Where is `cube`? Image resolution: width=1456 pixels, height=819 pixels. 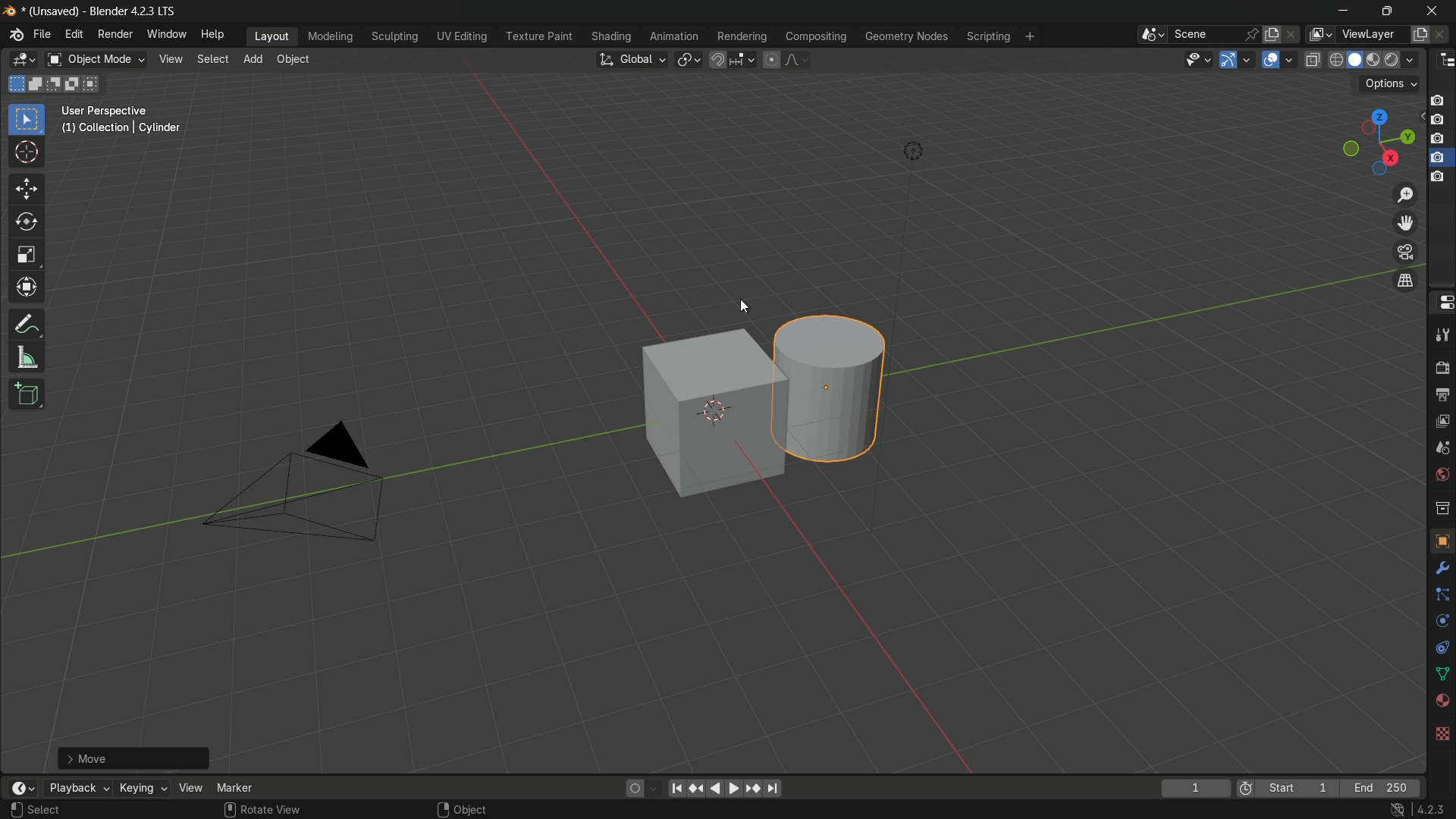
cube is located at coordinates (699, 416).